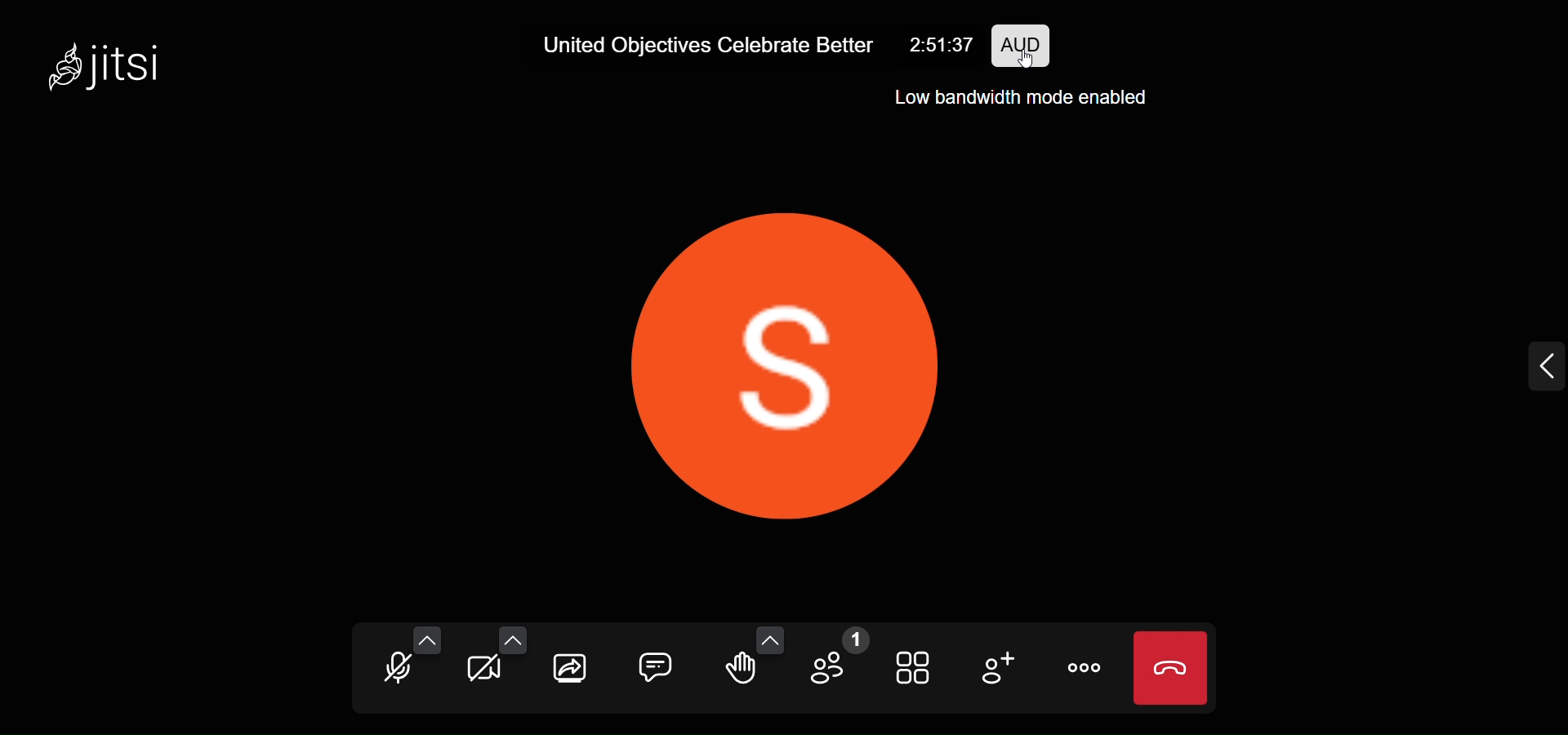 This screenshot has height=735, width=1568. Describe the element at coordinates (740, 670) in the screenshot. I see `raise hand` at that location.